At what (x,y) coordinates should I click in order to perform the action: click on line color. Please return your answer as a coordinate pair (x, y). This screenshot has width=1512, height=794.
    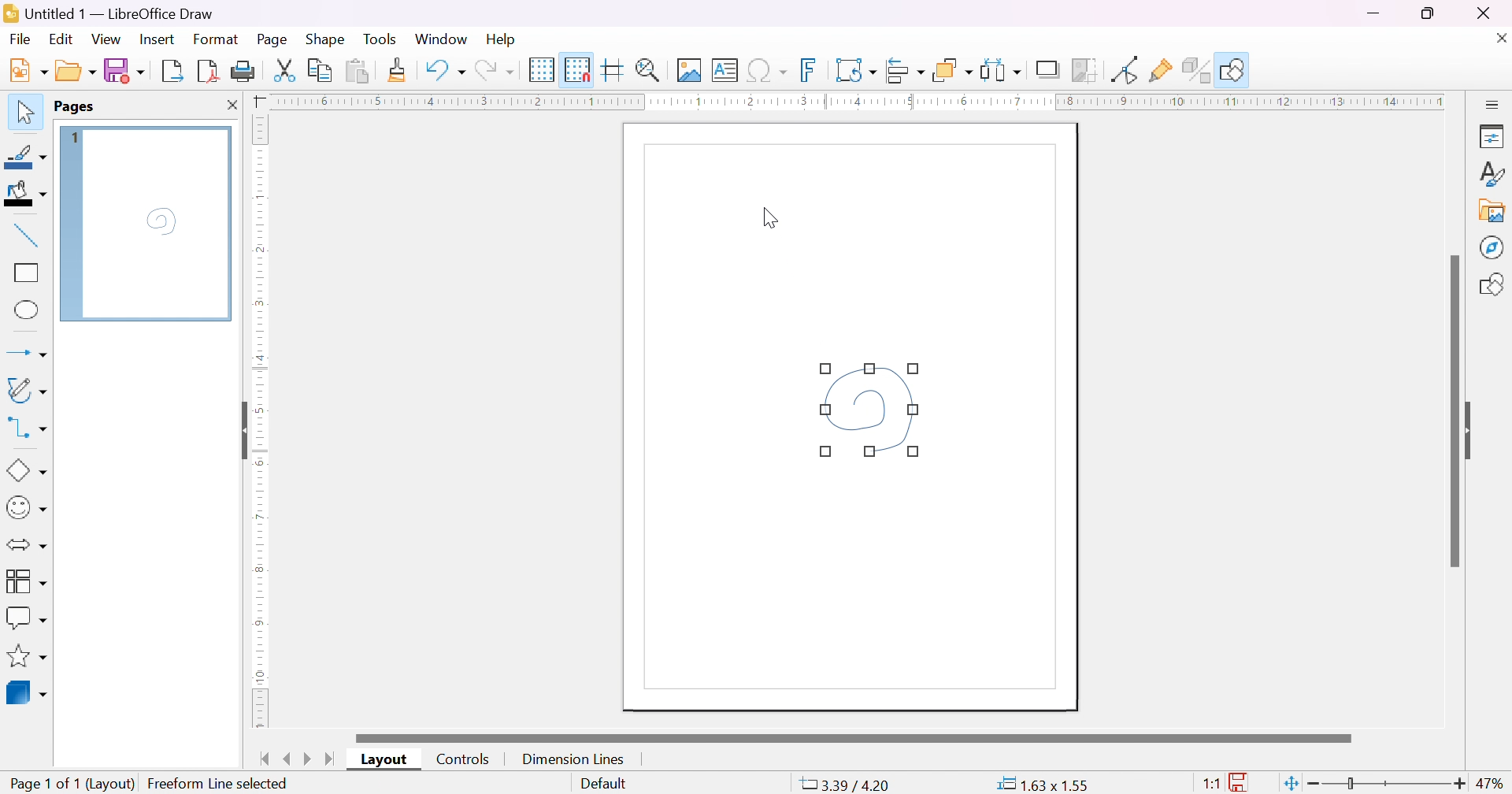
    Looking at the image, I should click on (26, 157).